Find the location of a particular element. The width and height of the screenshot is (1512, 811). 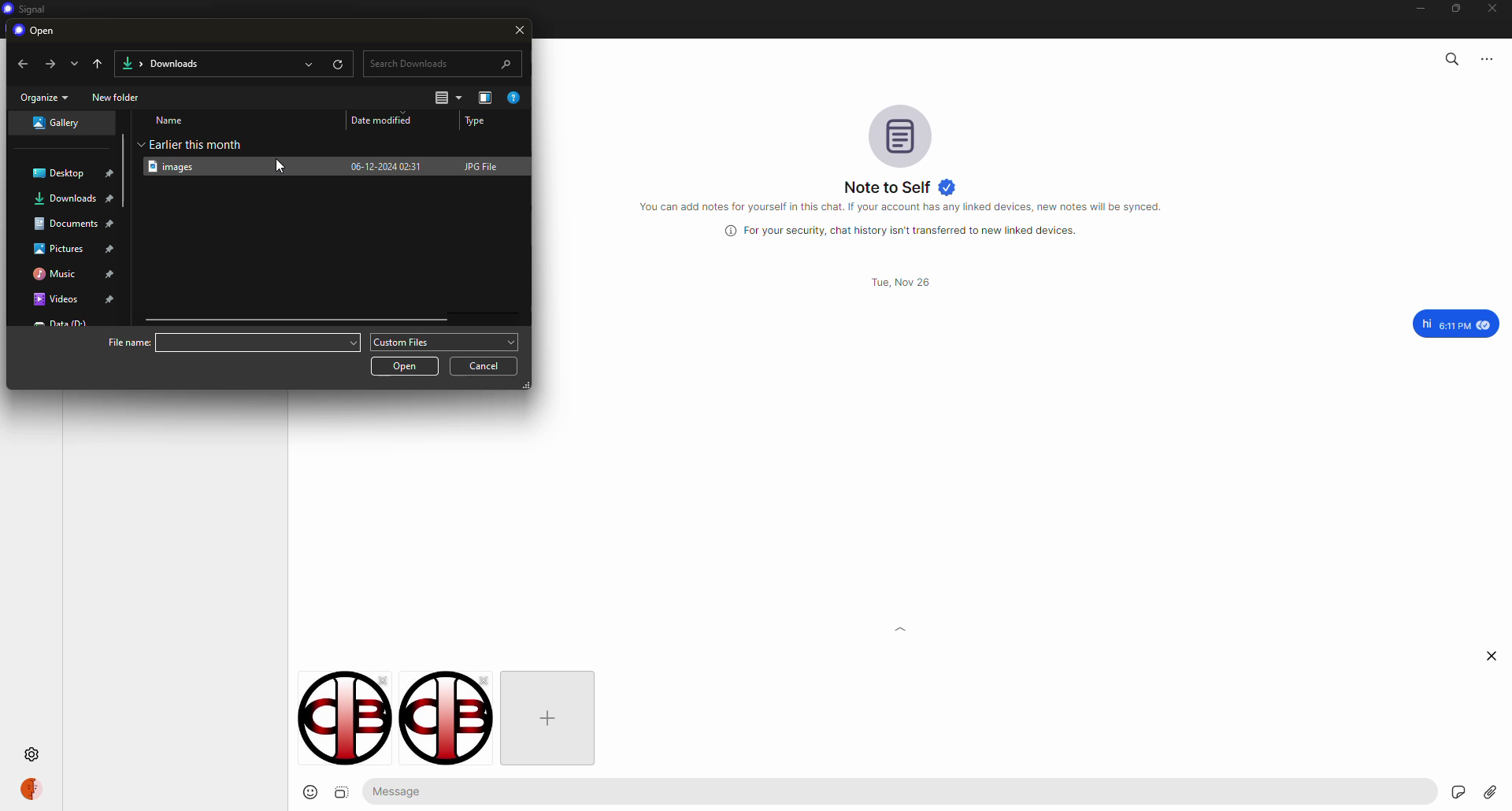

close is located at coordinates (1495, 9).